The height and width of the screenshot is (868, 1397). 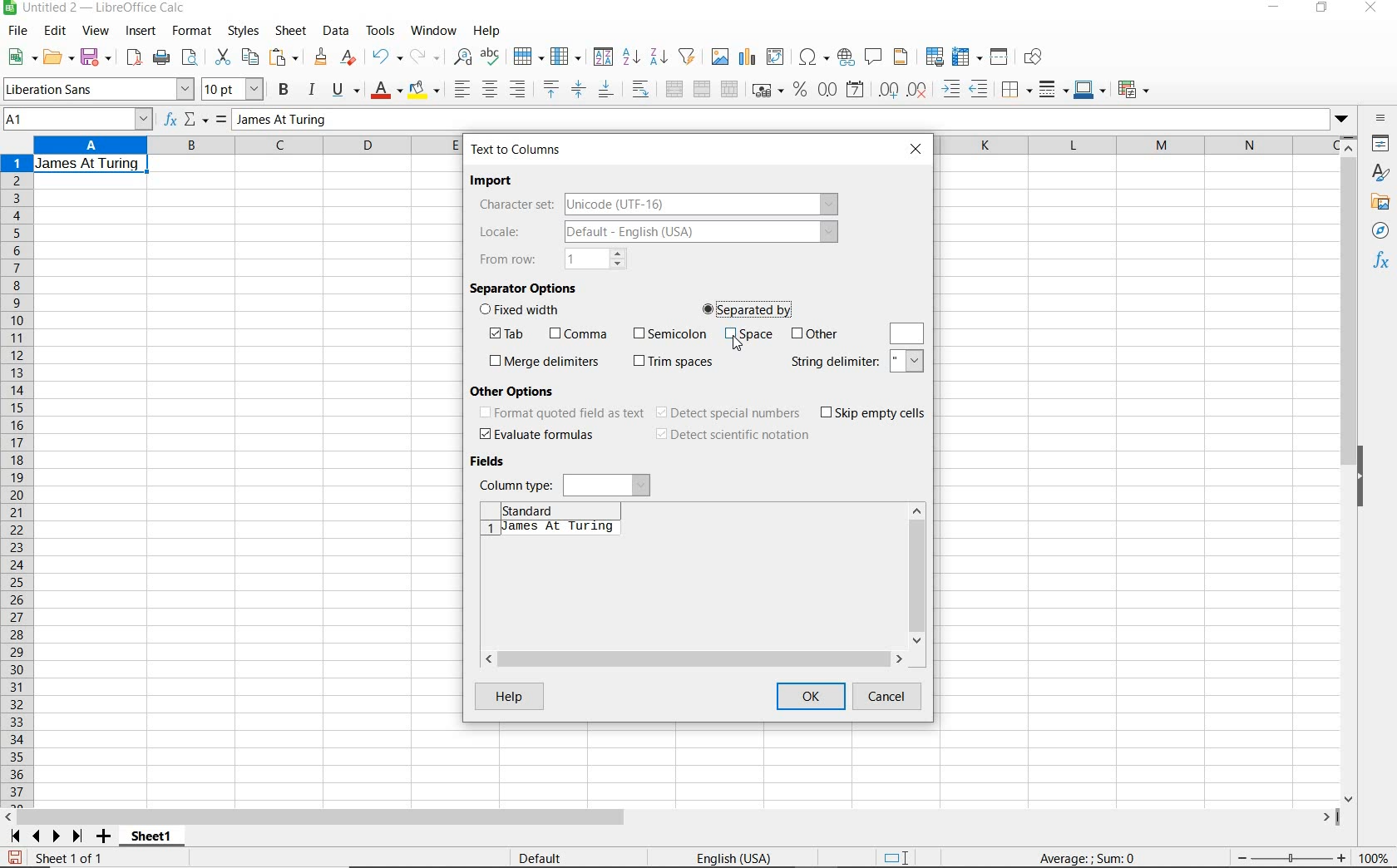 I want to click on space, so click(x=748, y=337).